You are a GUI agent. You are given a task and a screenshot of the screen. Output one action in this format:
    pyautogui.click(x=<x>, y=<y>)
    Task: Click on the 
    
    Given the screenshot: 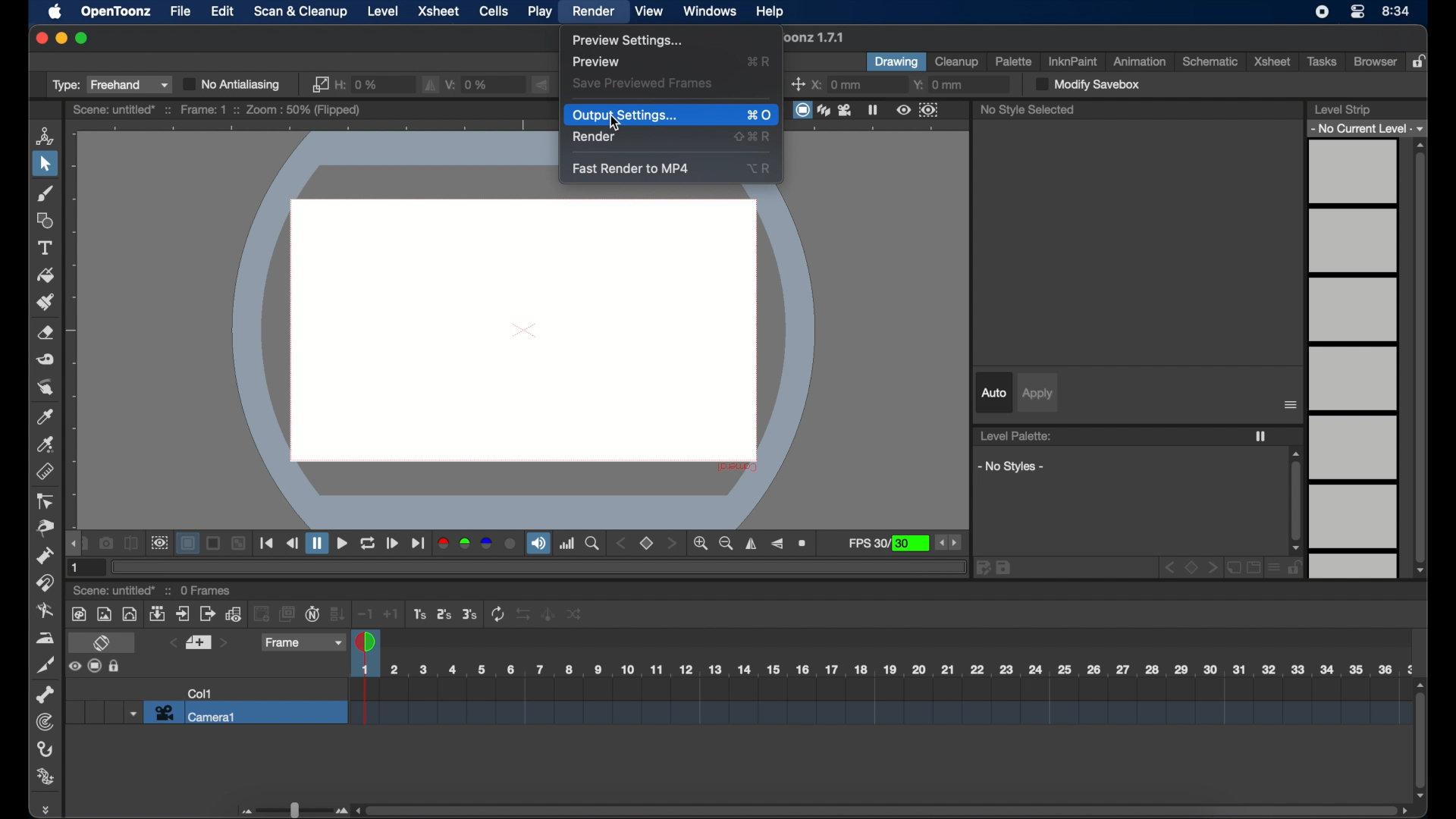 What is the action you would take?
    pyautogui.click(x=337, y=615)
    